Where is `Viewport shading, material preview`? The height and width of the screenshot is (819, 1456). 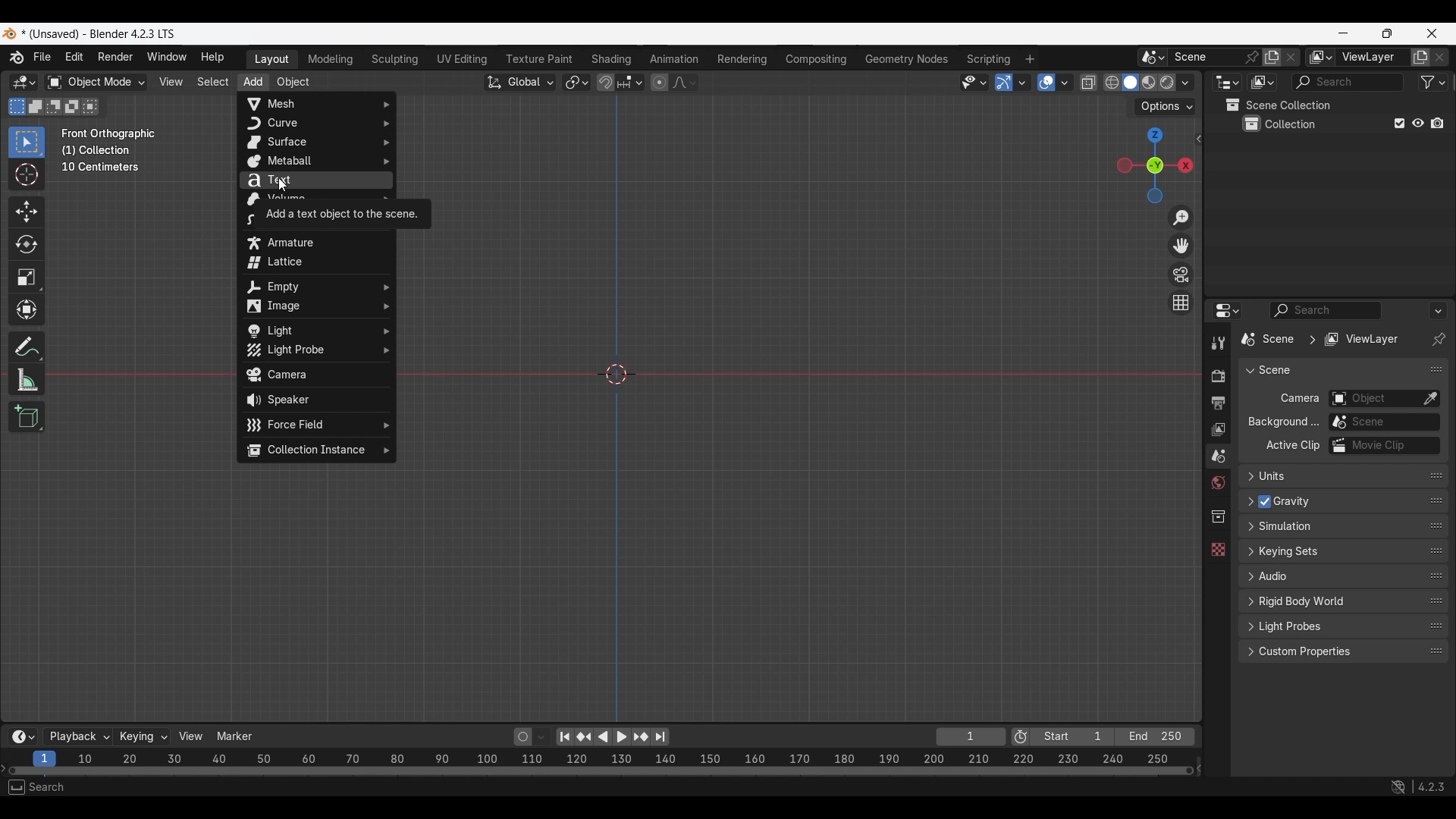 Viewport shading, material preview is located at coordinates (1148, 82).